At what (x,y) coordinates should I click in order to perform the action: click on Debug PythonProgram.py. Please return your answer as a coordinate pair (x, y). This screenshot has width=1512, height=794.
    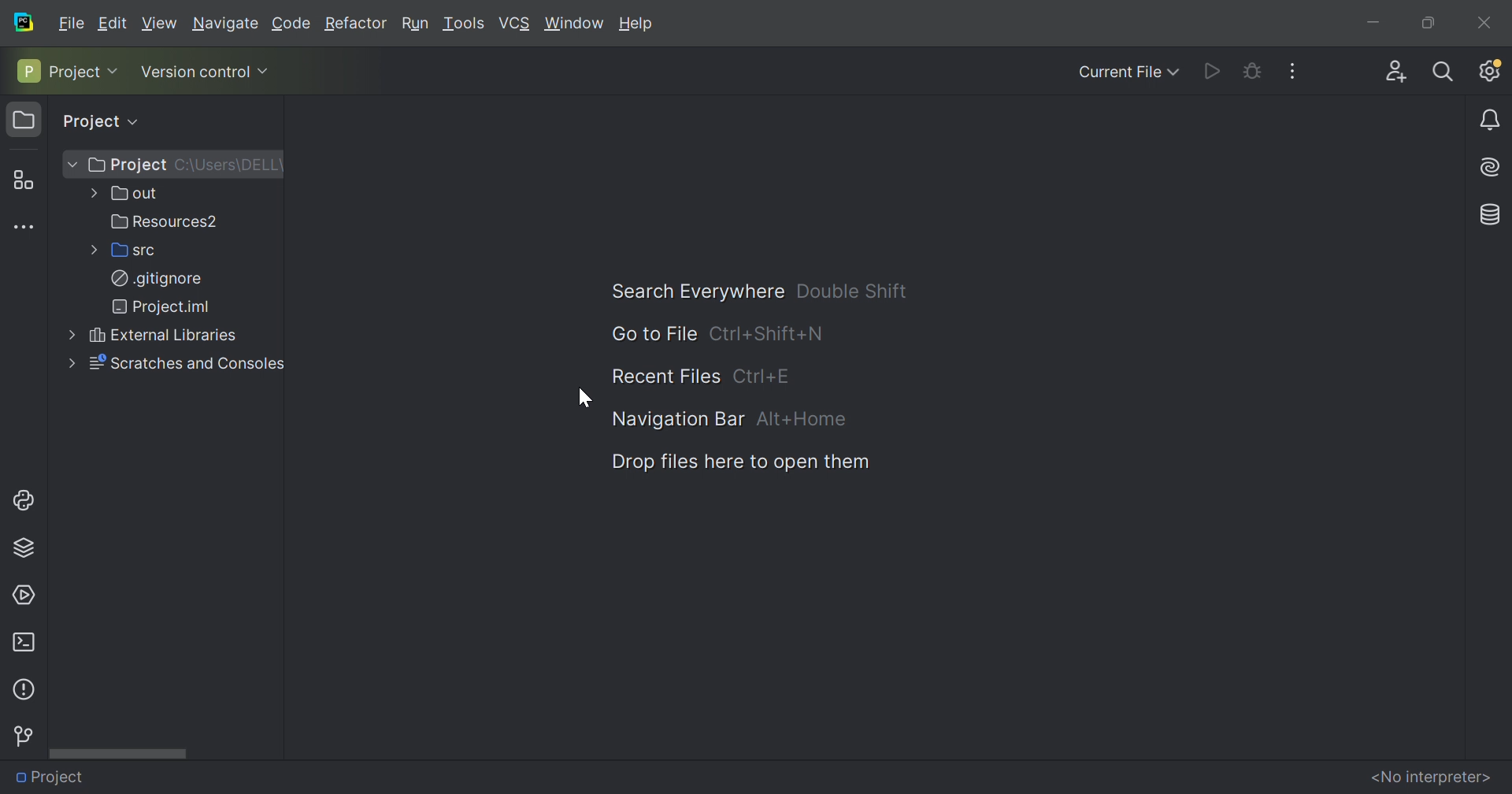
    Looking at the image, I should click on (1250, 69).